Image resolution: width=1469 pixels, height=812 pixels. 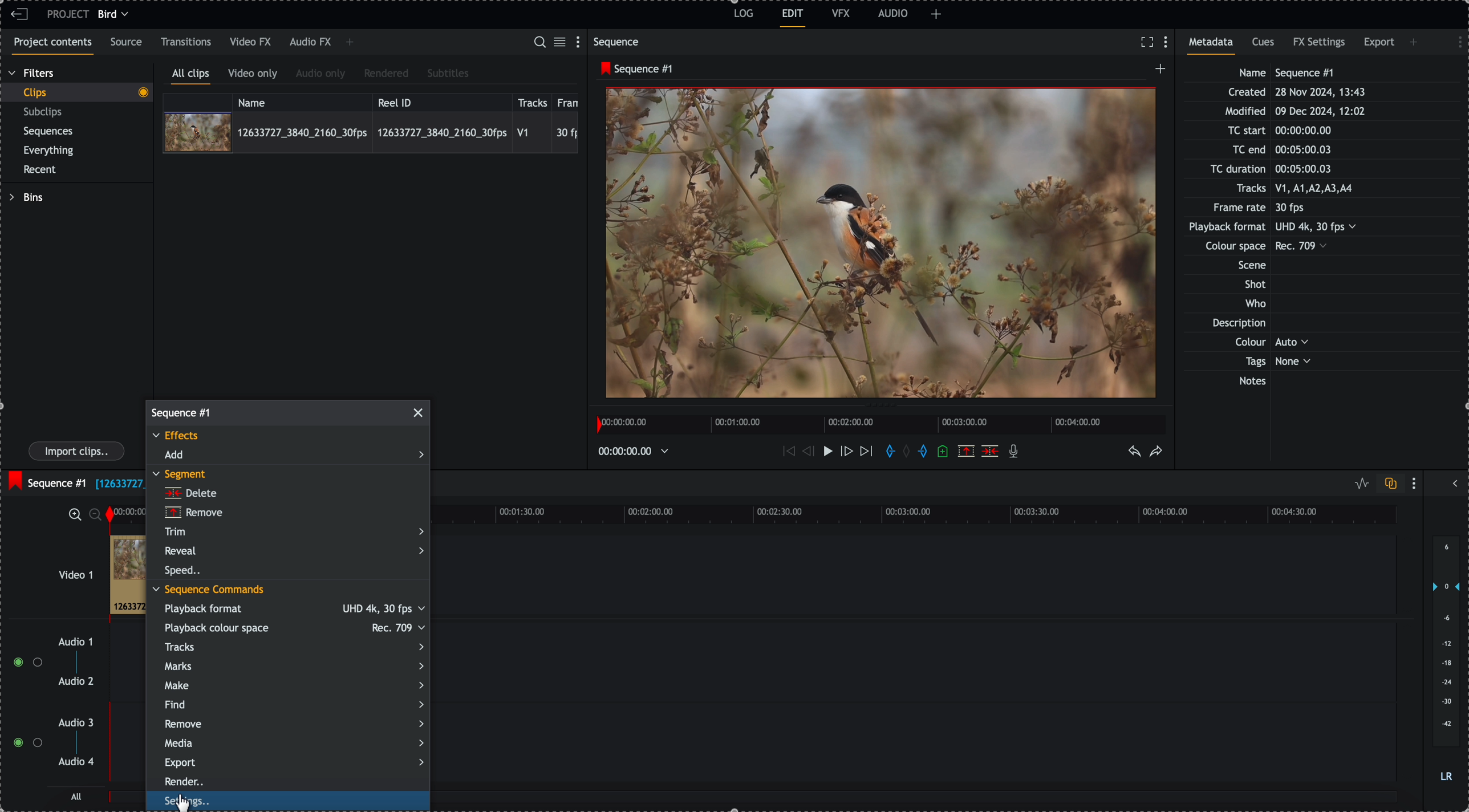 I want to click on effects, so click(x=178, y=437).